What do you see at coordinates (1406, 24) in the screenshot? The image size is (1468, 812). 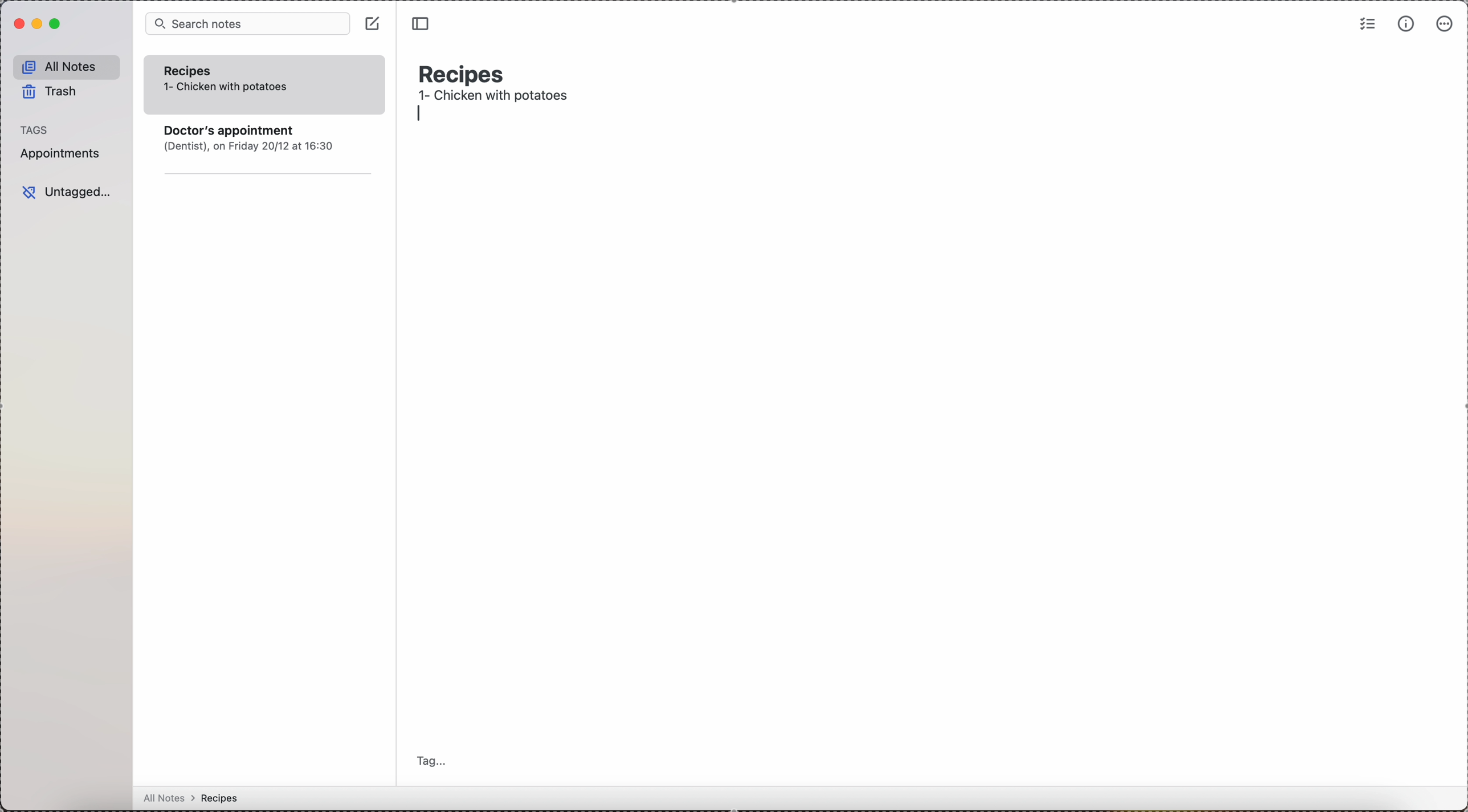 I see `metrics` at bounding box center [1406, 24].